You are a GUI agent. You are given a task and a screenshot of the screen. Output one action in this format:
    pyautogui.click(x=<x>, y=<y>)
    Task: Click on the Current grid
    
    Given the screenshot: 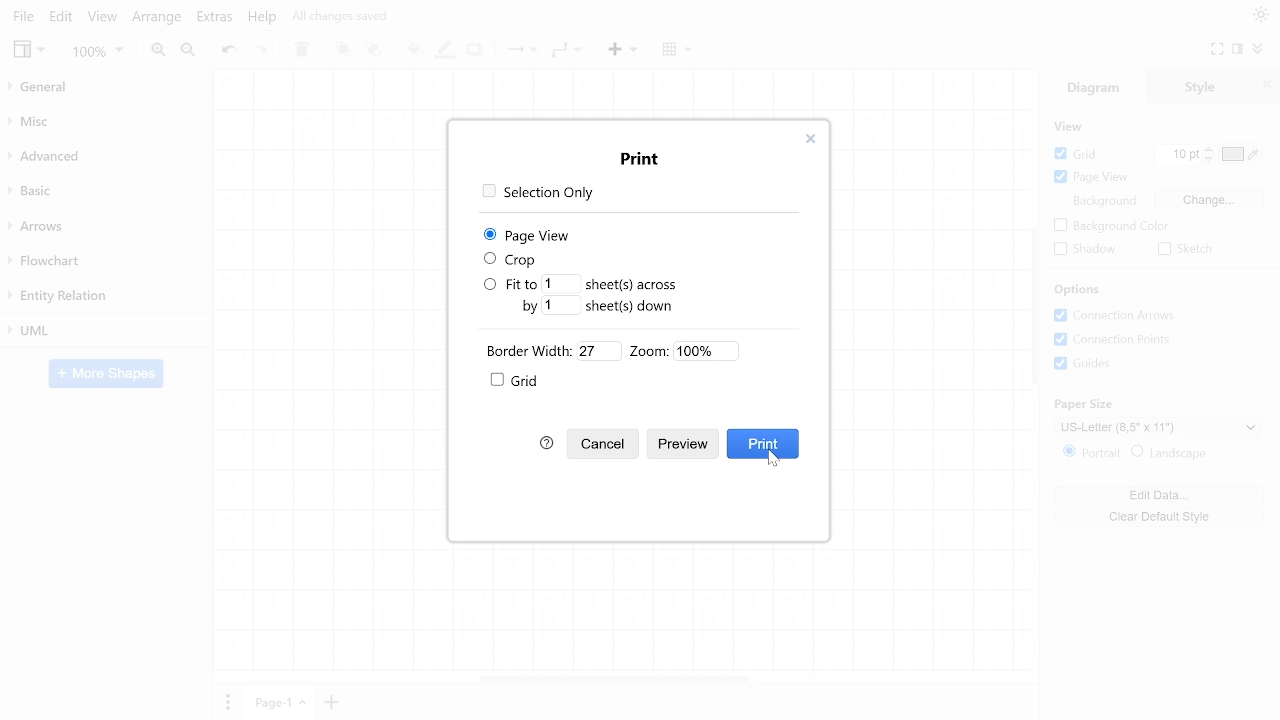 What is the action you would take?
    pyautogui.click(x=1179, y=154)
    